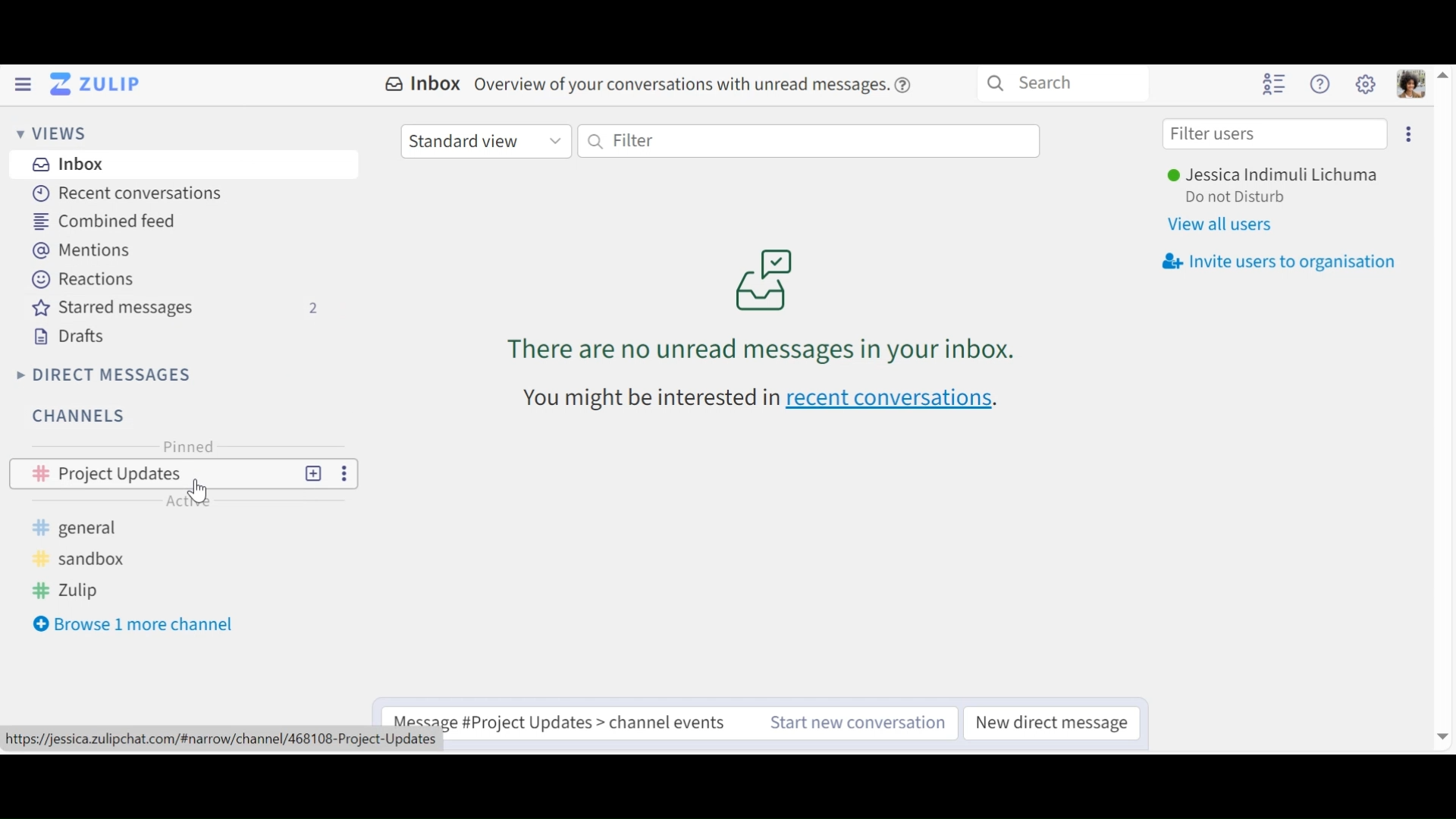  I want to click on User, so click(1276, 174).